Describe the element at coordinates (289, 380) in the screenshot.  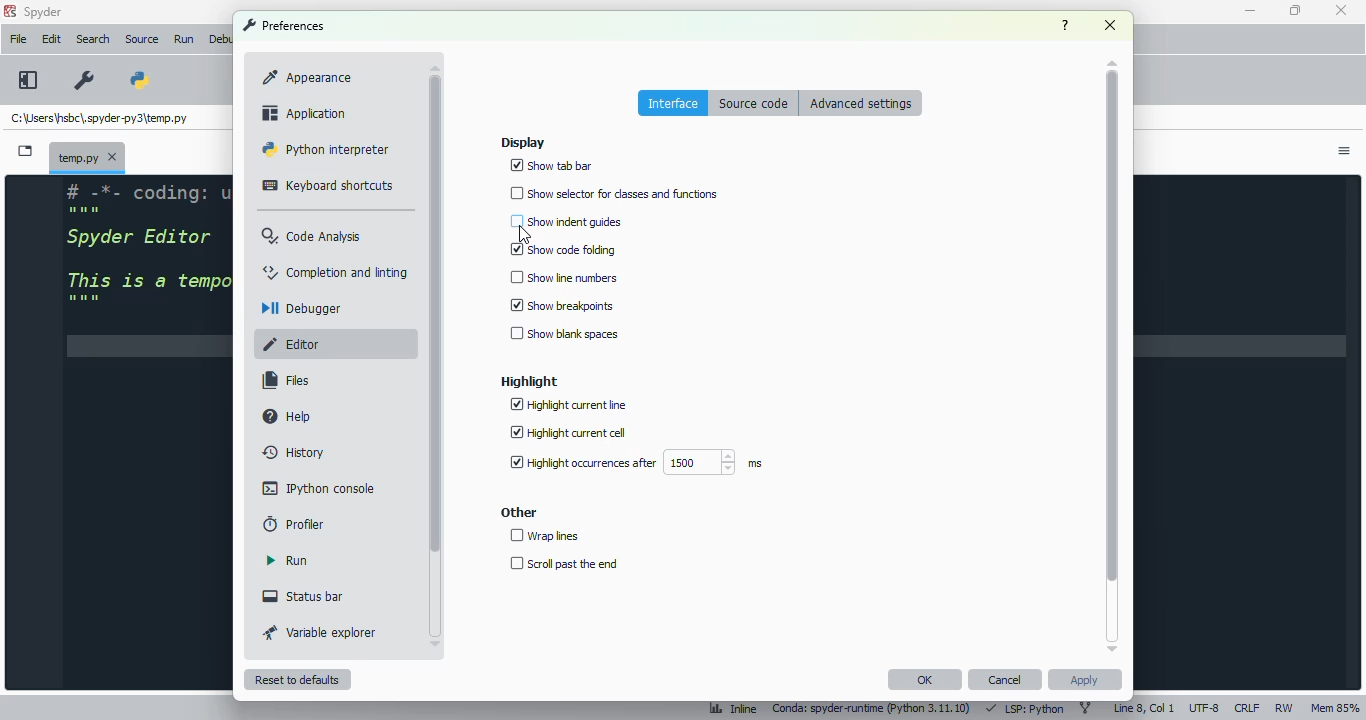
I see `files` at that location.